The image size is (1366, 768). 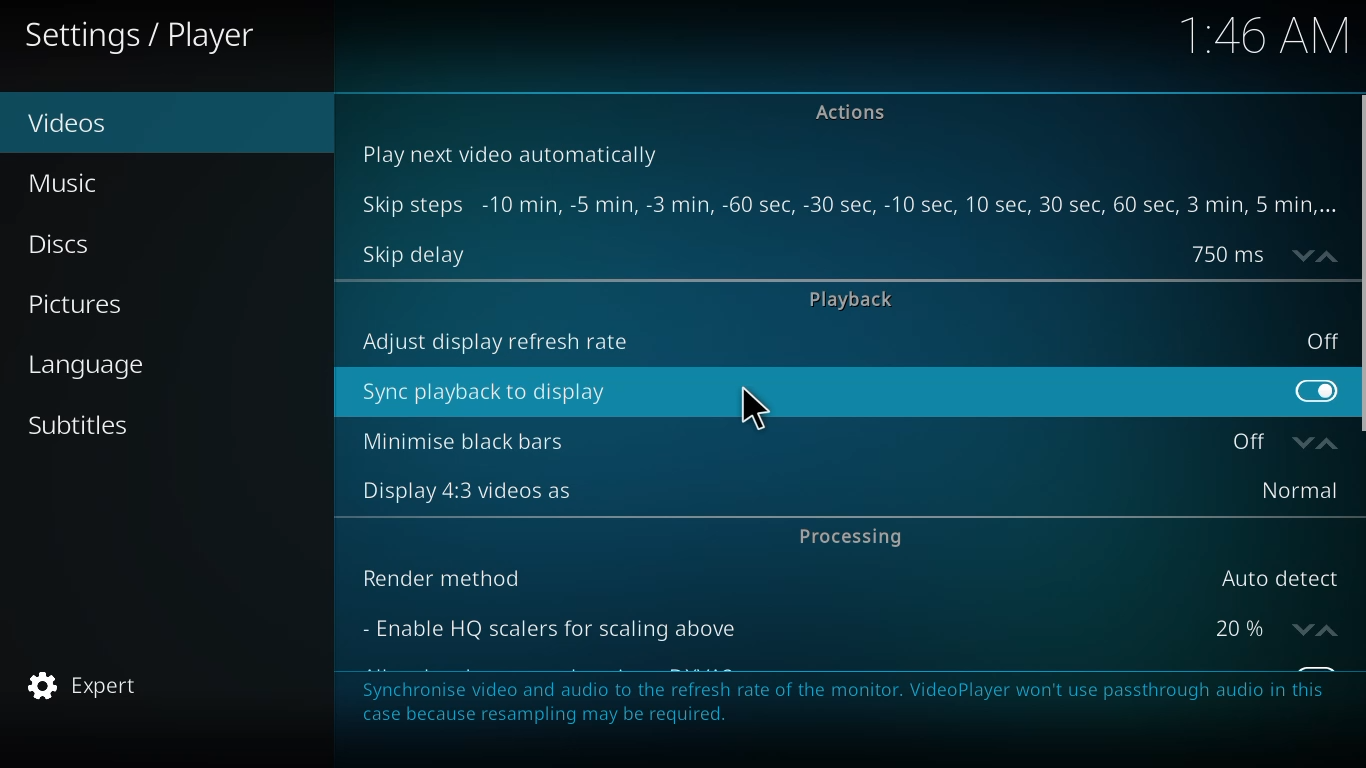 I want to click on music, so click(x=76, y=182).